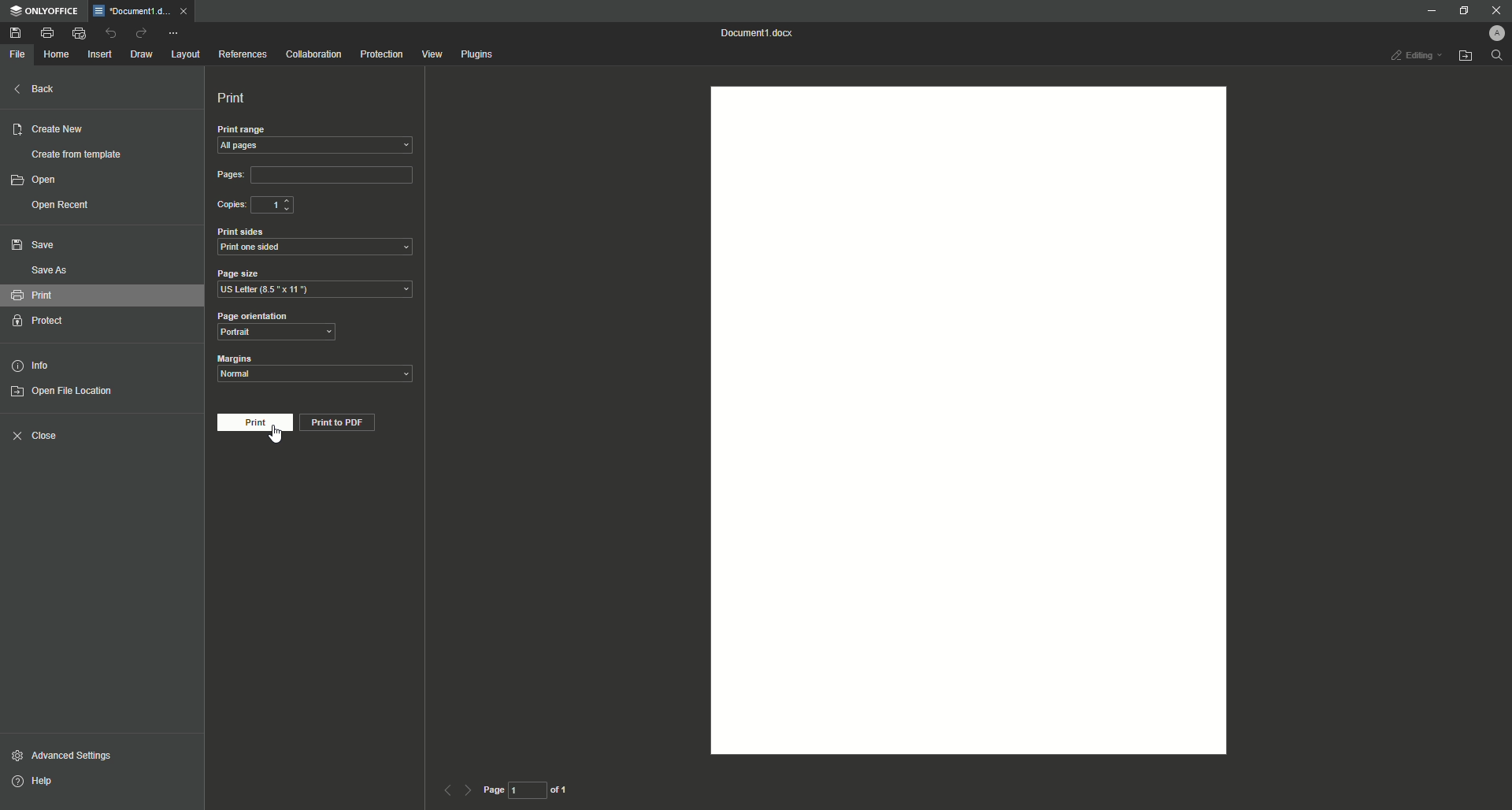 The image size is (1512, 810). I want to click on document, so click(962, 422).